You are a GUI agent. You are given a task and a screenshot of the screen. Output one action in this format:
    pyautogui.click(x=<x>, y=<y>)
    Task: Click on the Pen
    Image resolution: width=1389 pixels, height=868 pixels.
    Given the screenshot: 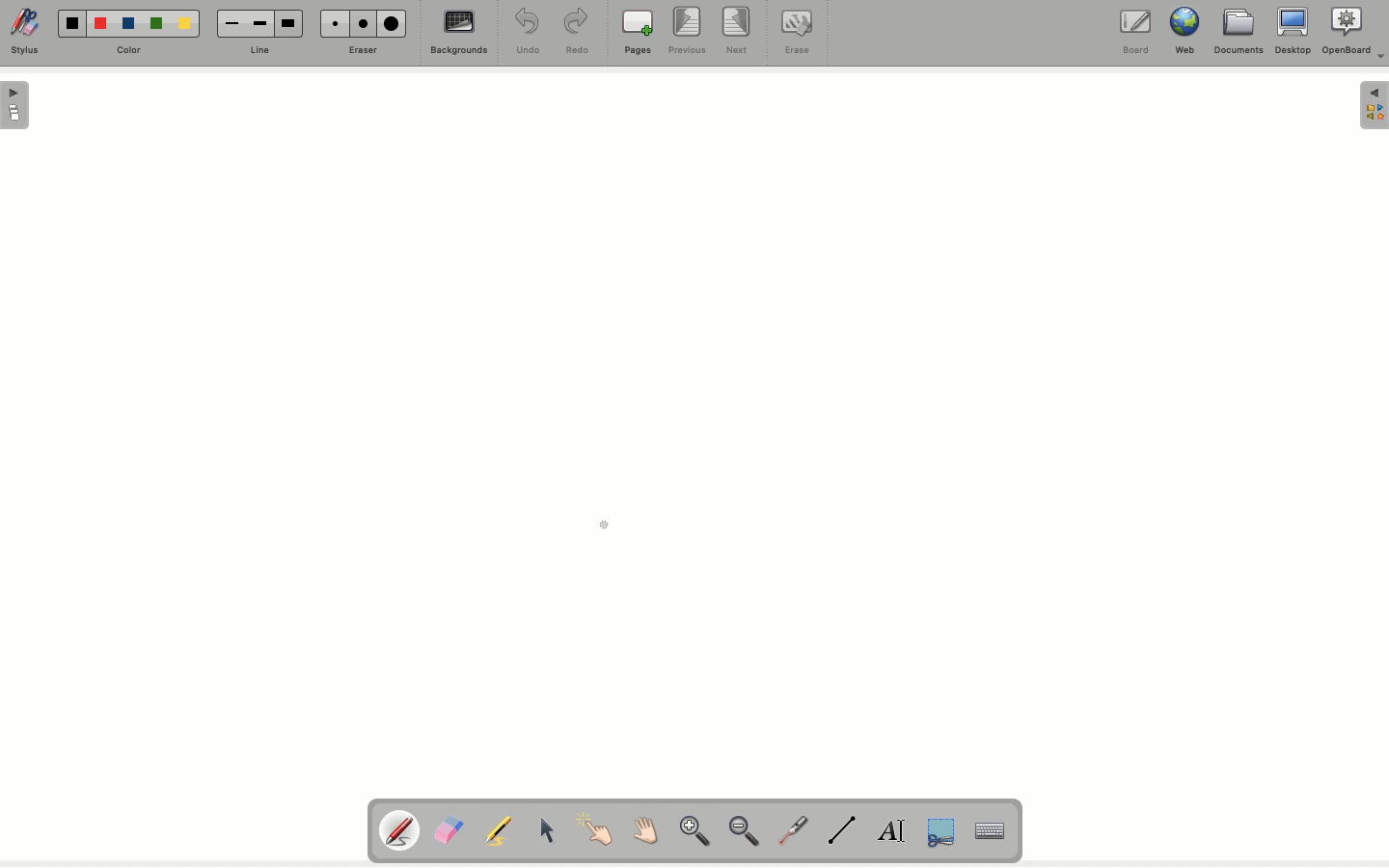 What is the action you would take?
    pyautogui.click(x=401, y=829)
    